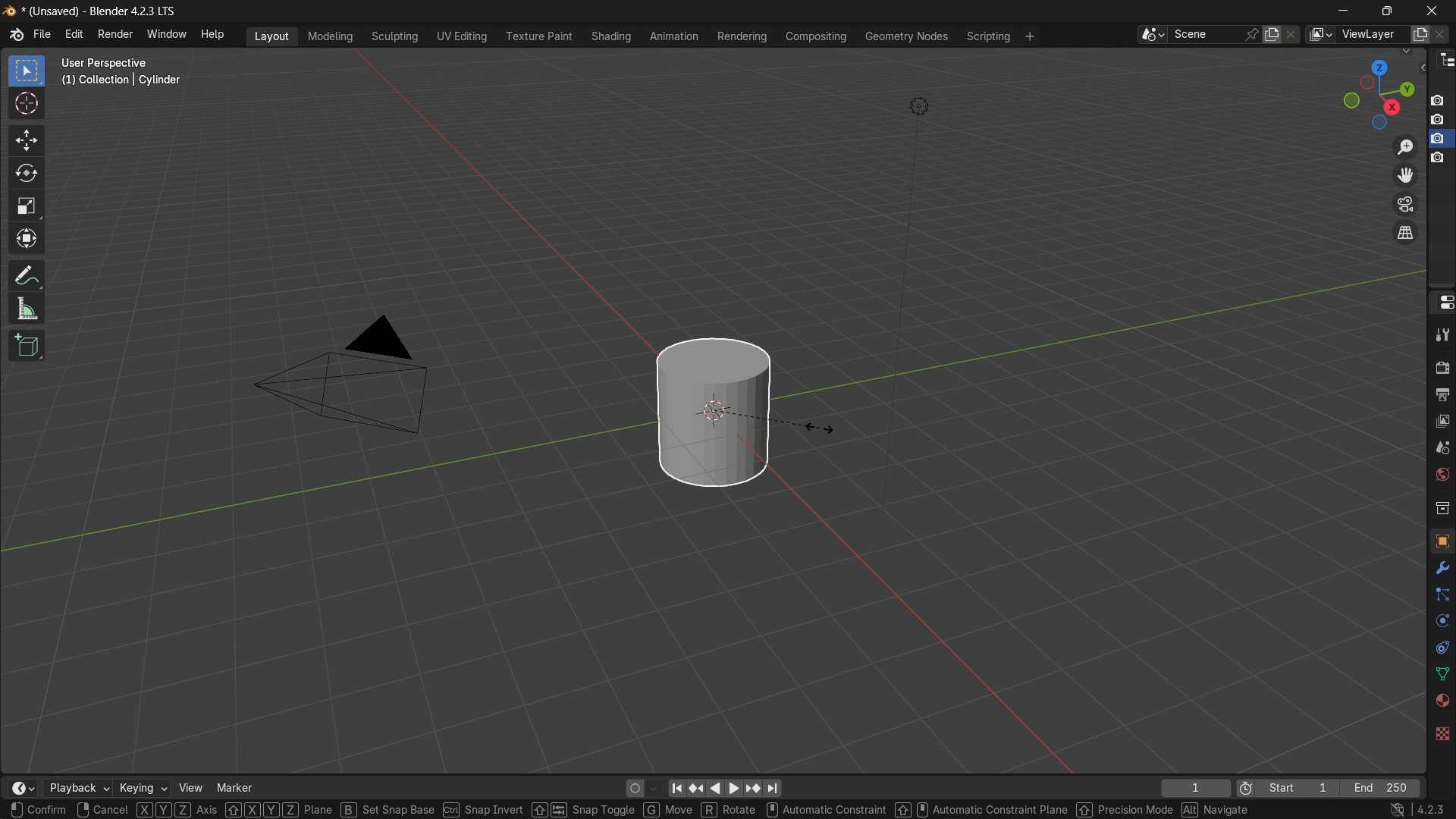  Describe the element at coordinates (177, 810) in the screenshot. I see `XYZ Axis` at that location.